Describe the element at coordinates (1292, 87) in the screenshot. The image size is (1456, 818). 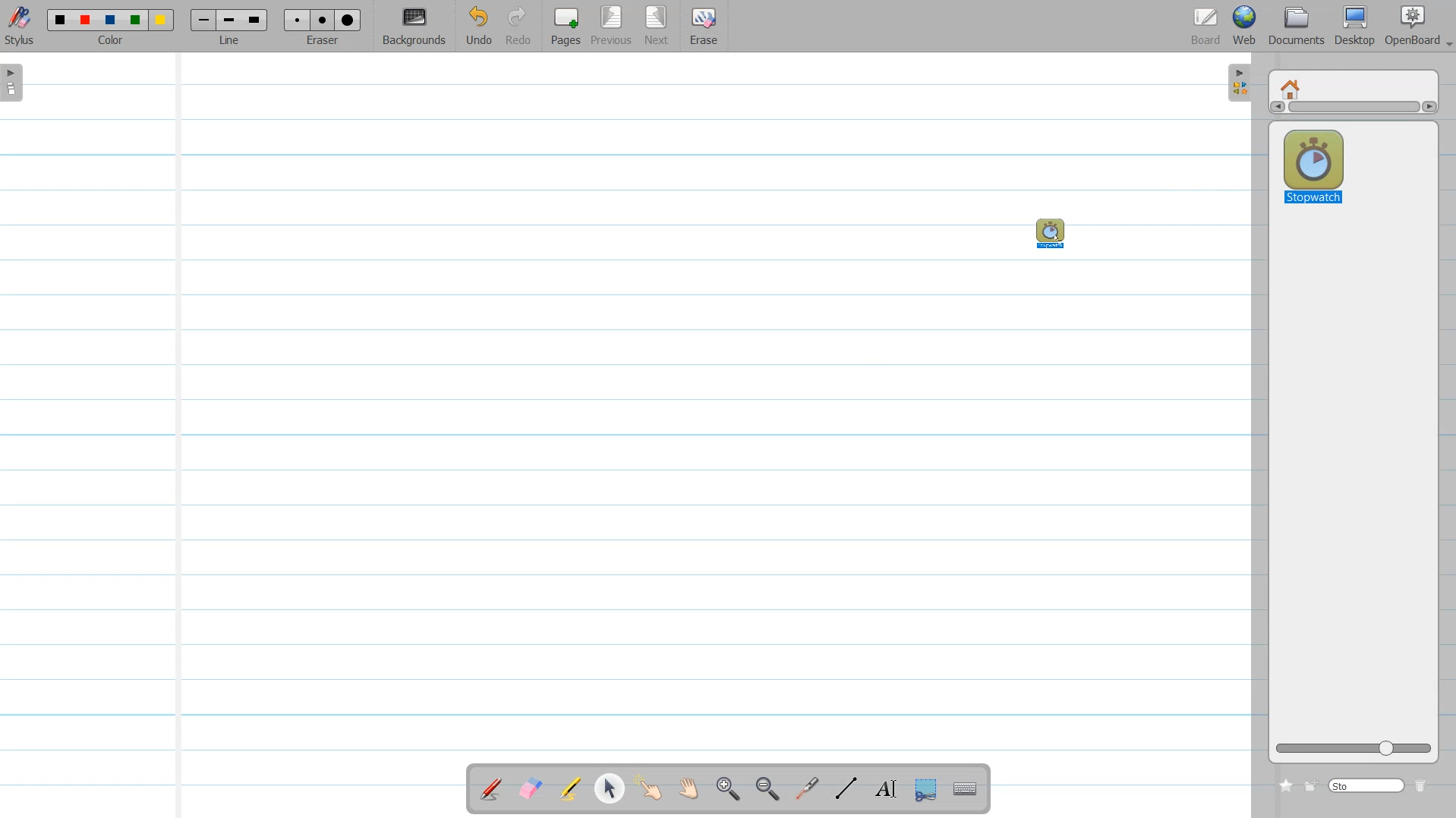
I see `Home window` at that location.